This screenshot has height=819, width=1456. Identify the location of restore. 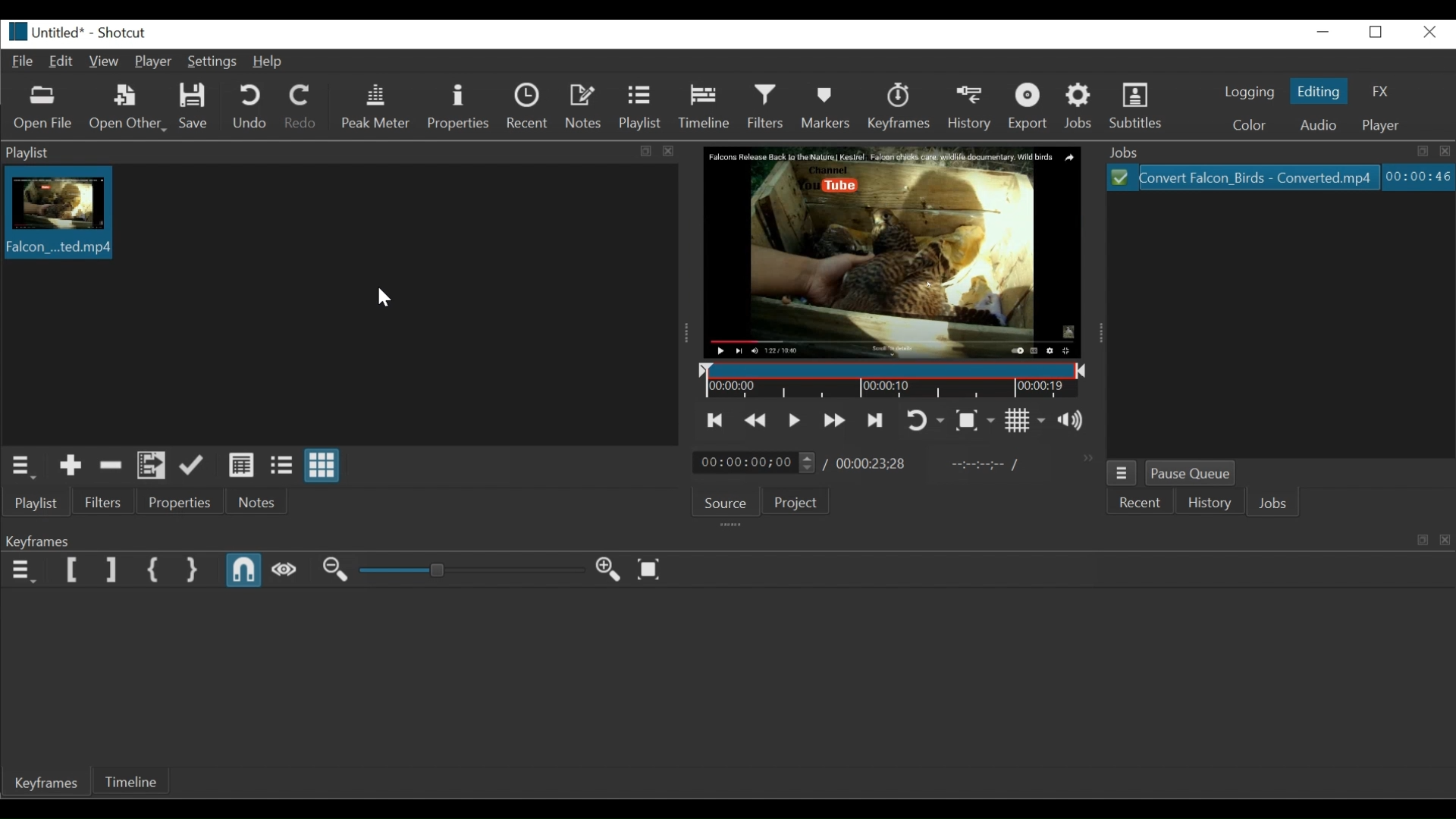
(1375, 33).